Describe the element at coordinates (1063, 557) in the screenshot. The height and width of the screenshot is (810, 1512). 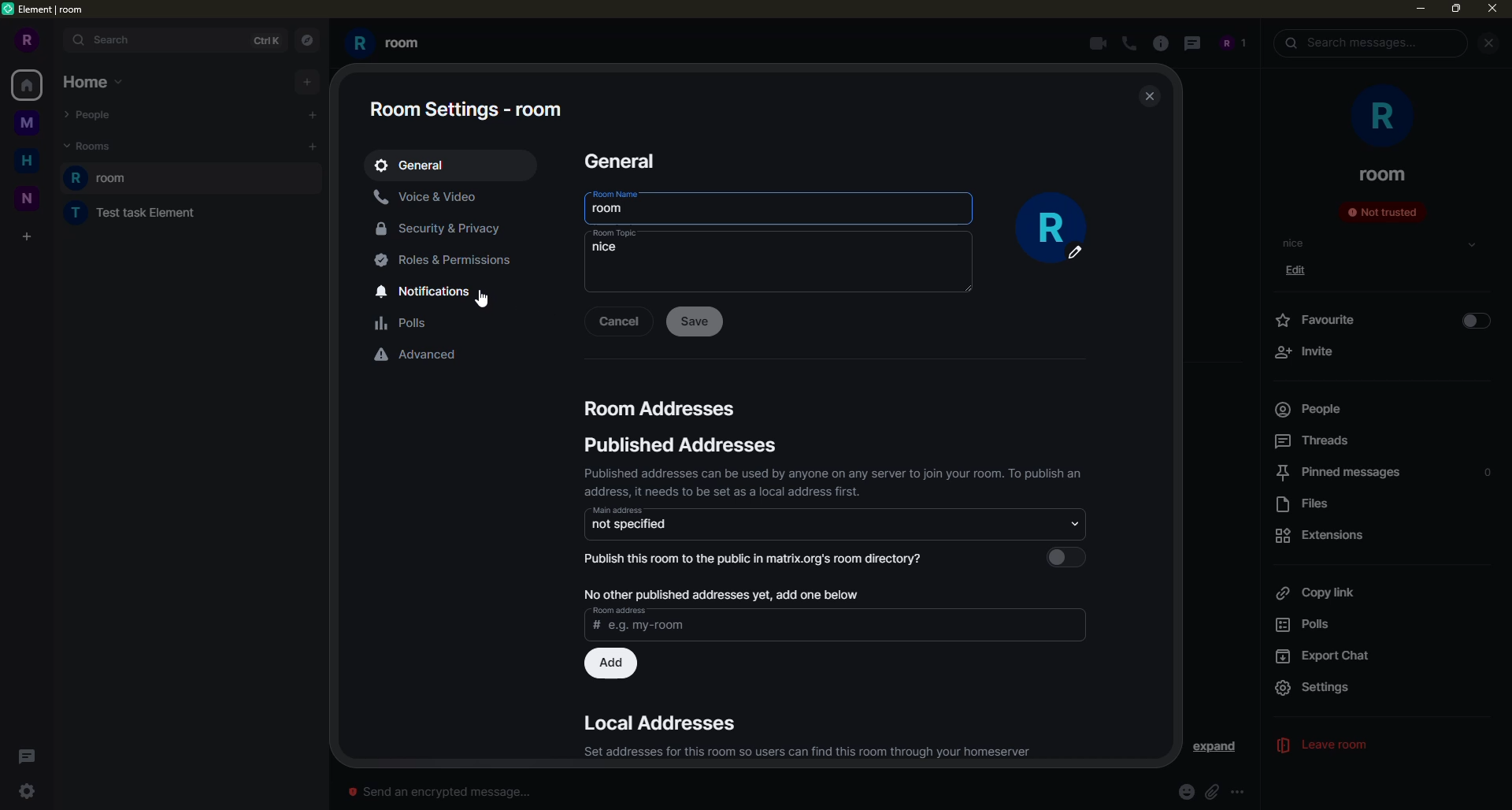
I see `enable` at that location.